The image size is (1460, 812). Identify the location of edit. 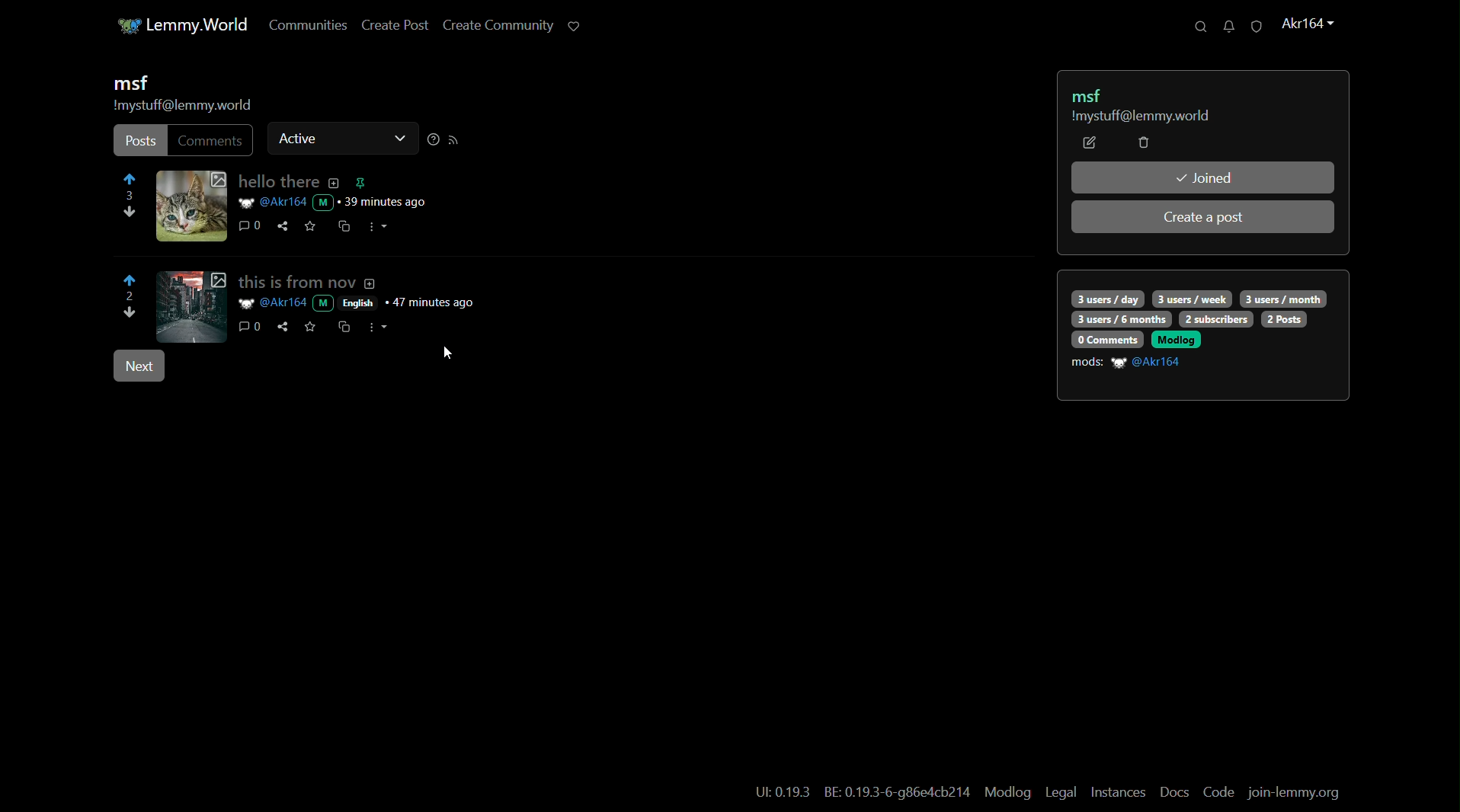
(1090, 143).